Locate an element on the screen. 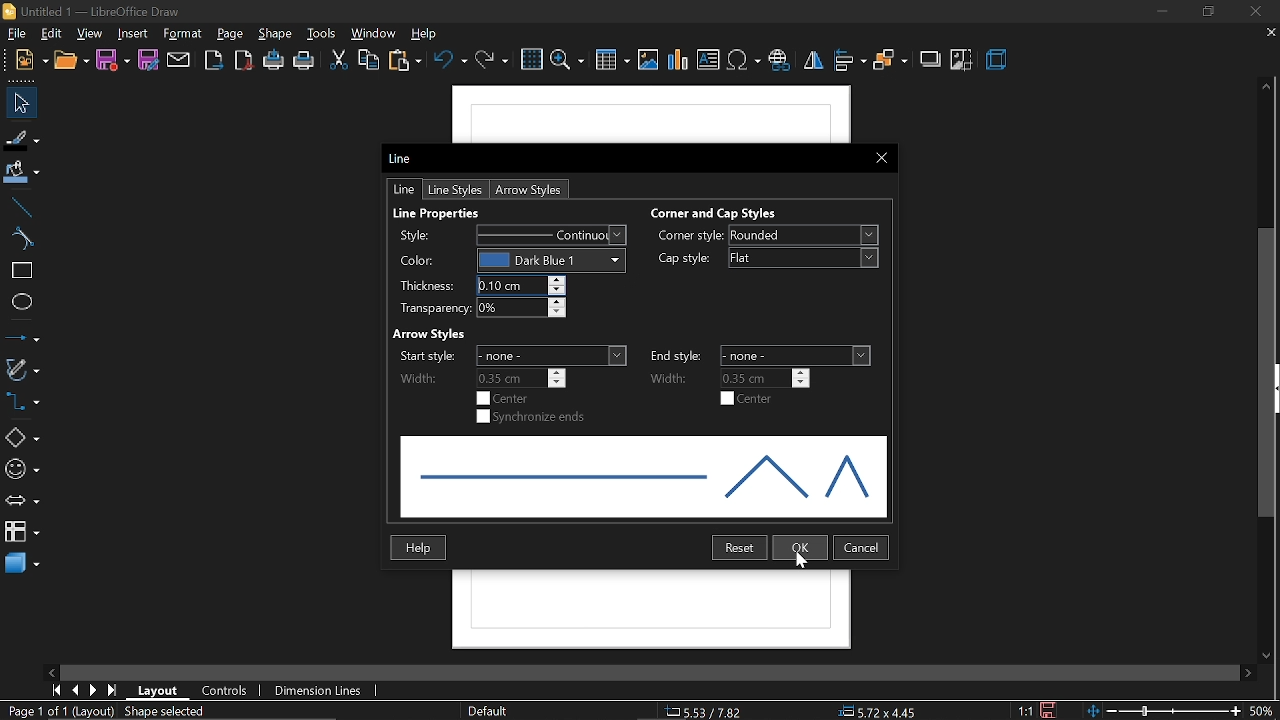 The height and width of the screenshot is (720, 1280). Comer style: is located at coordinates (691, 237).